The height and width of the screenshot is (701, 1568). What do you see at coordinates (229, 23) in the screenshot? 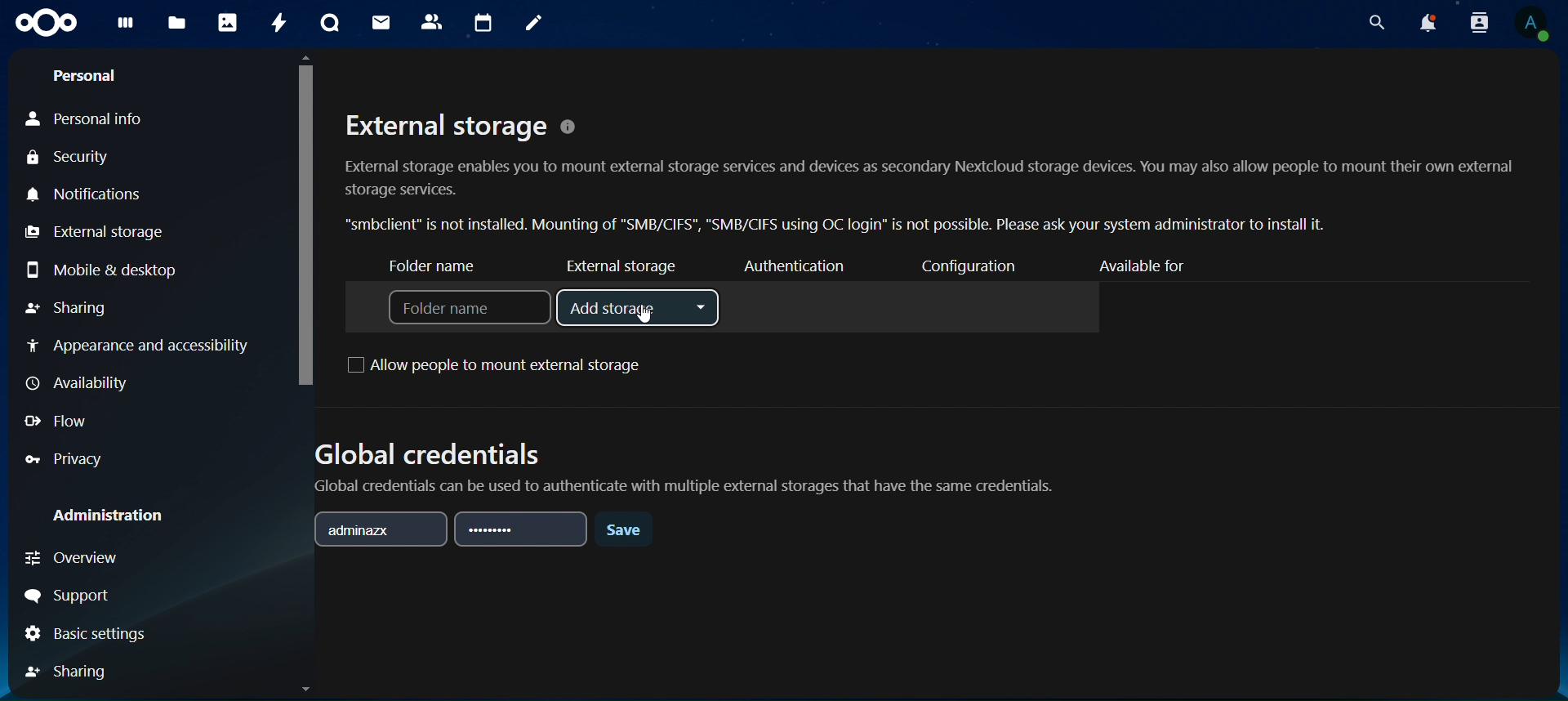
I see `photos` at bounding box center [229, 23].